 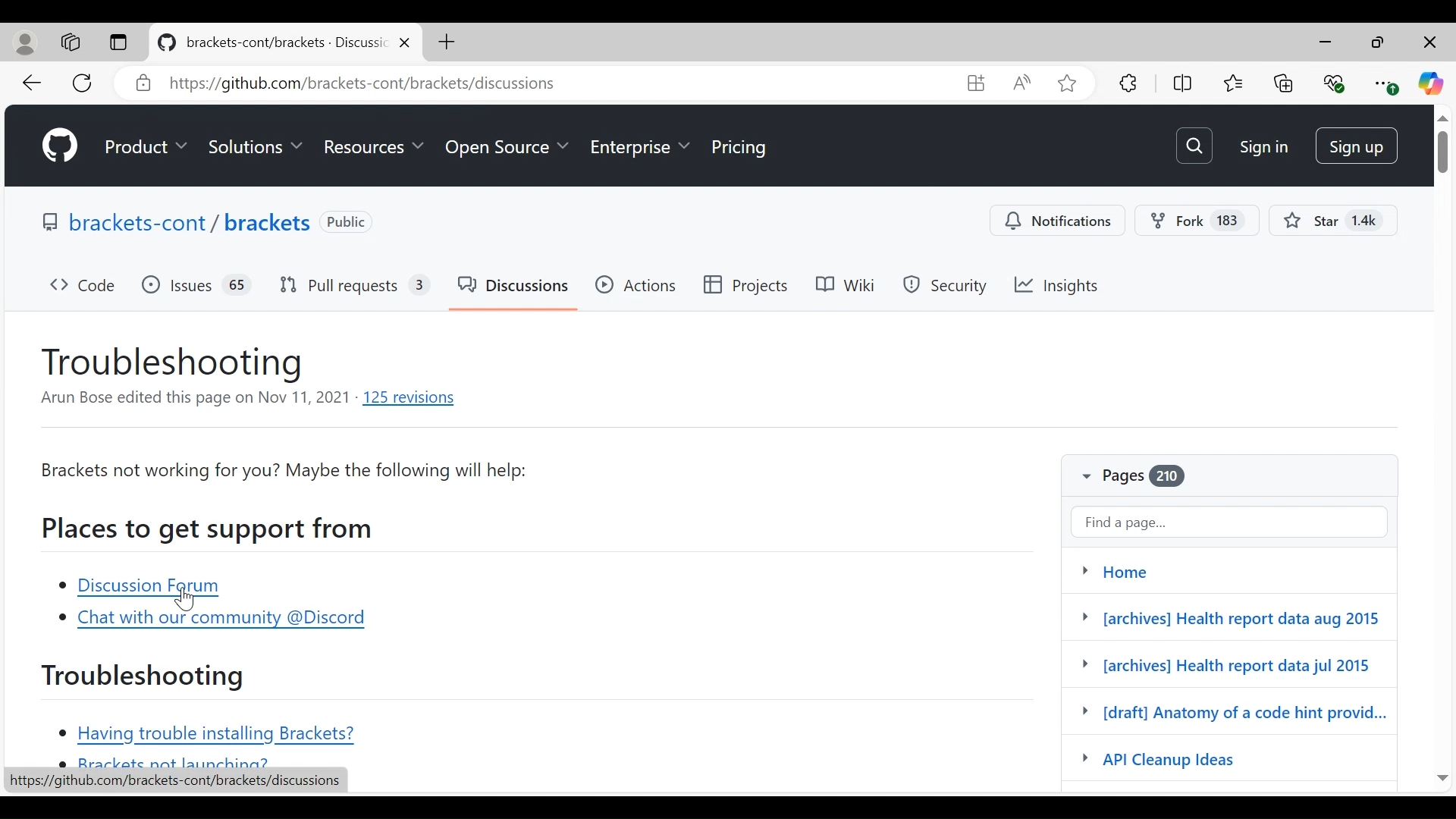 I want to click on Arun Bose edited this page on Nov 11, 2021 . 125 revisions, so click(x=249, y=400).